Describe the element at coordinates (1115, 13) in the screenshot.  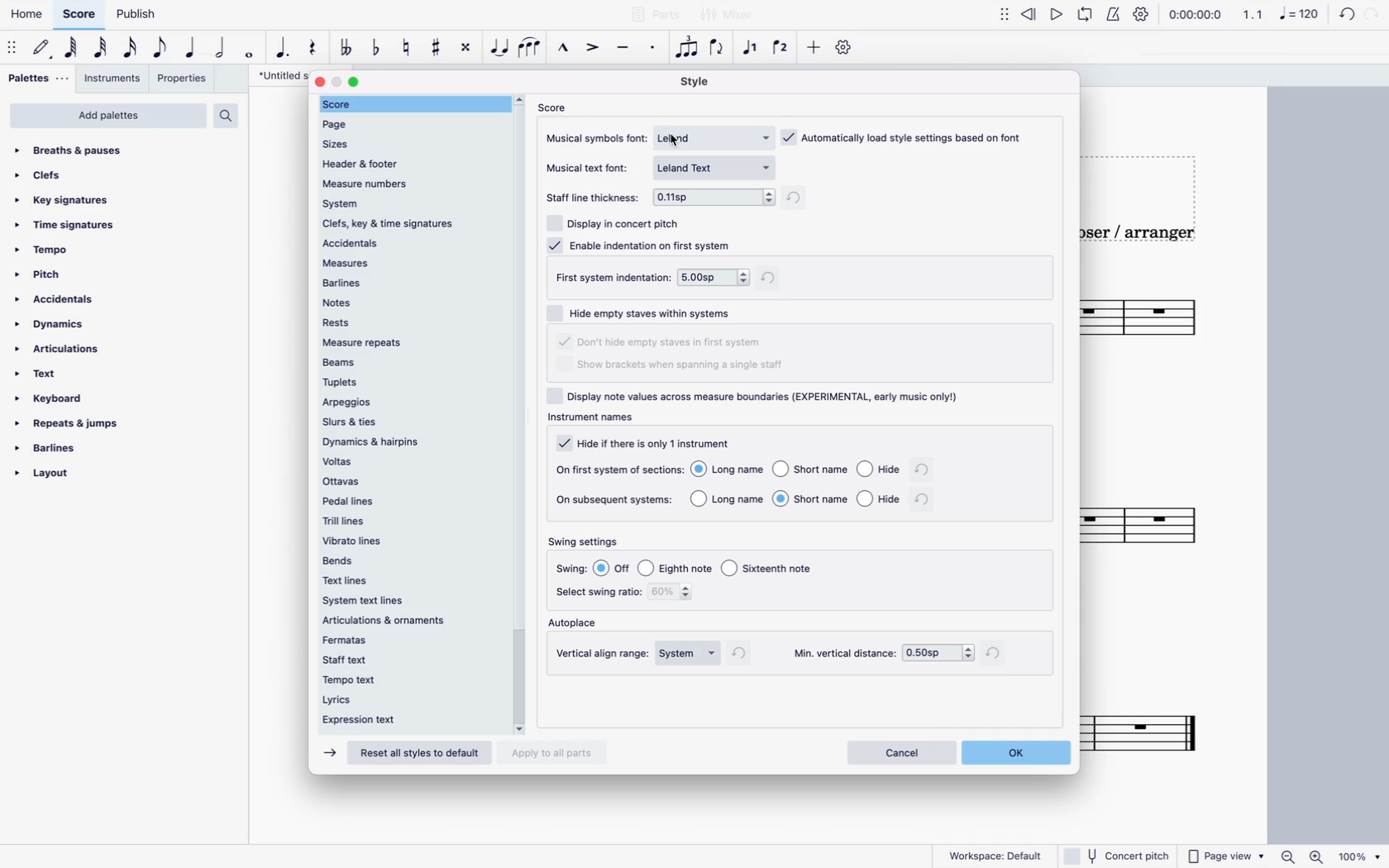
I see `Notify` at that location.